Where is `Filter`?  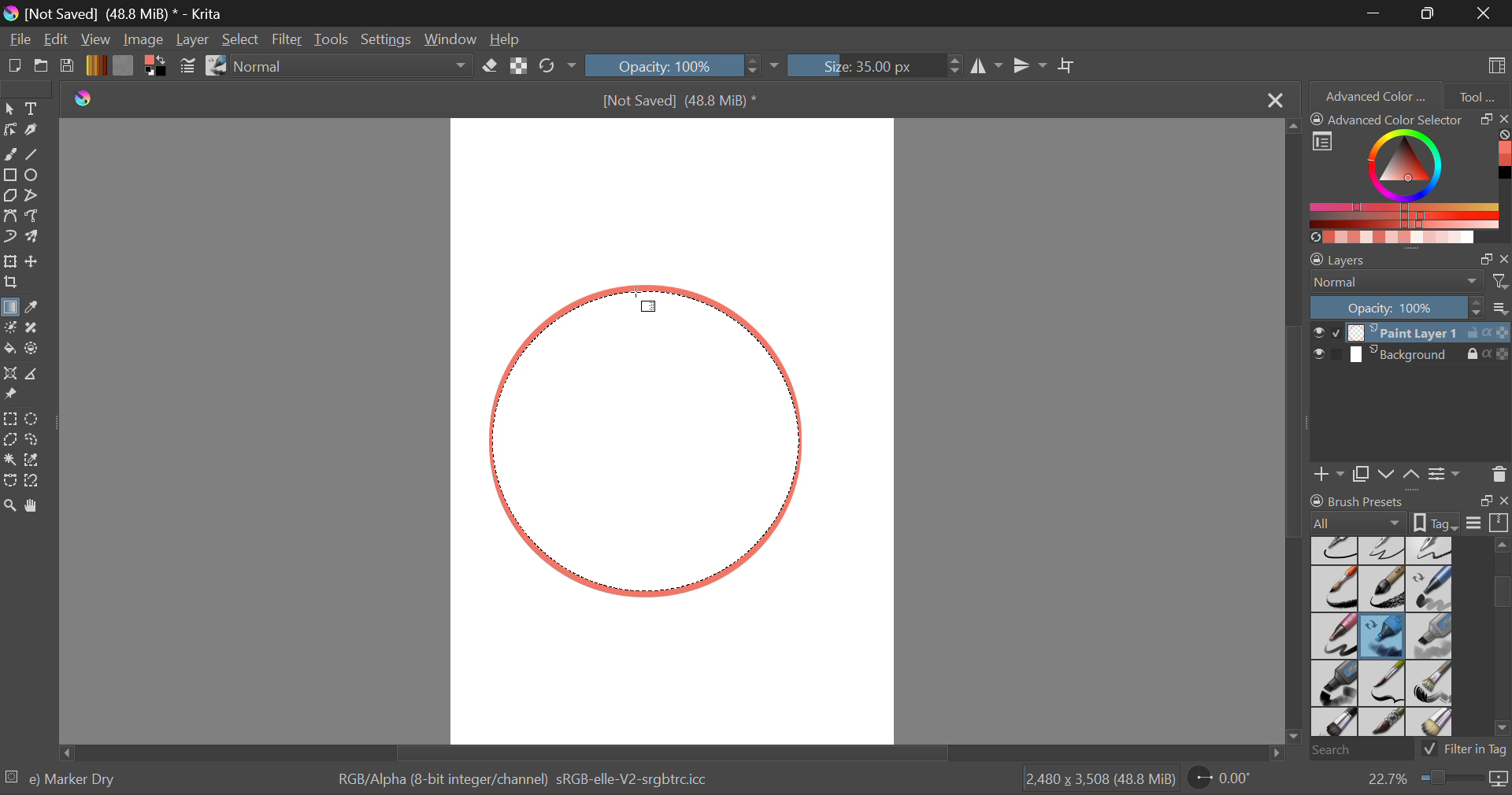 Filter is located at coordinates (289, 40).